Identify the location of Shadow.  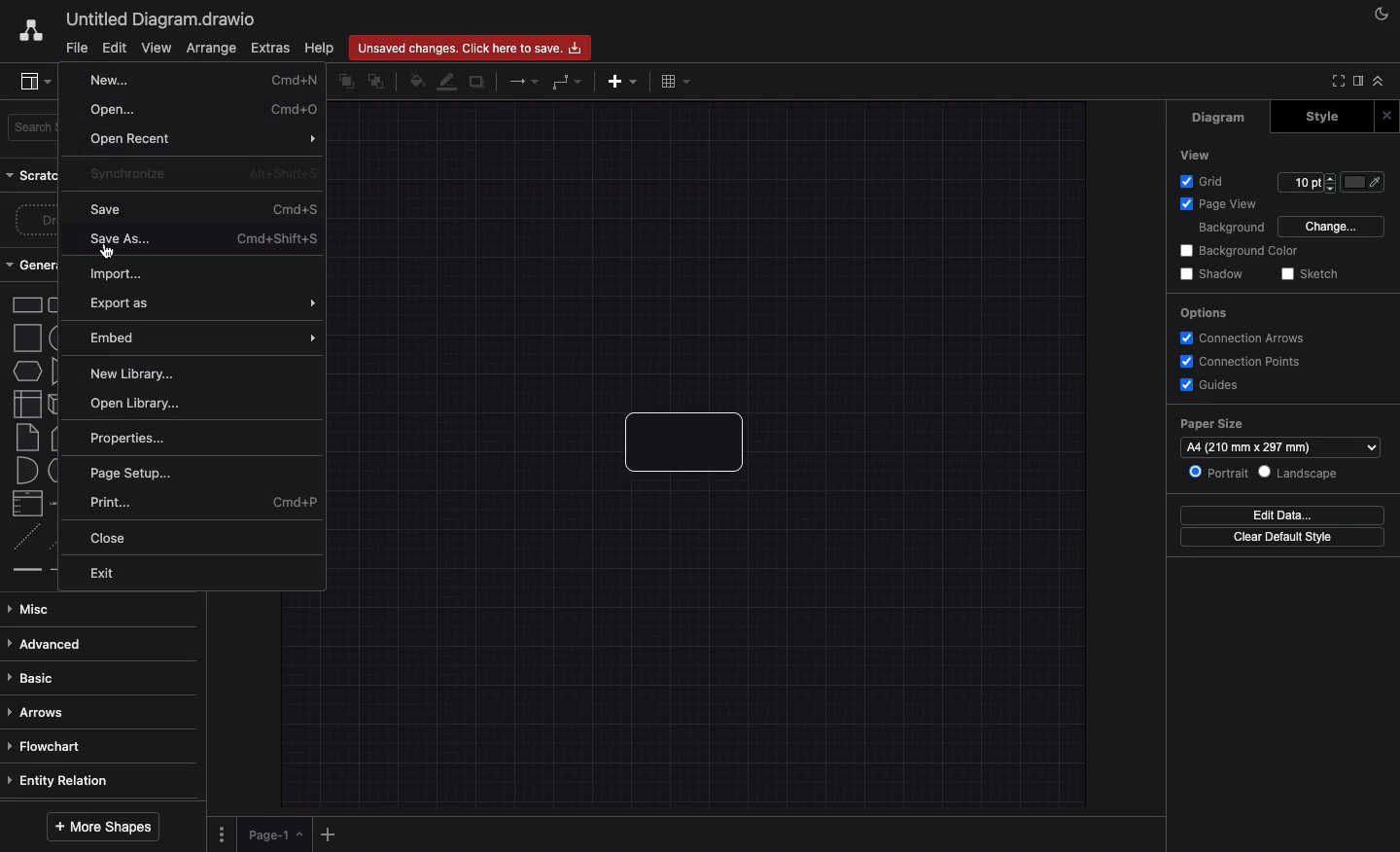
(477, 83).